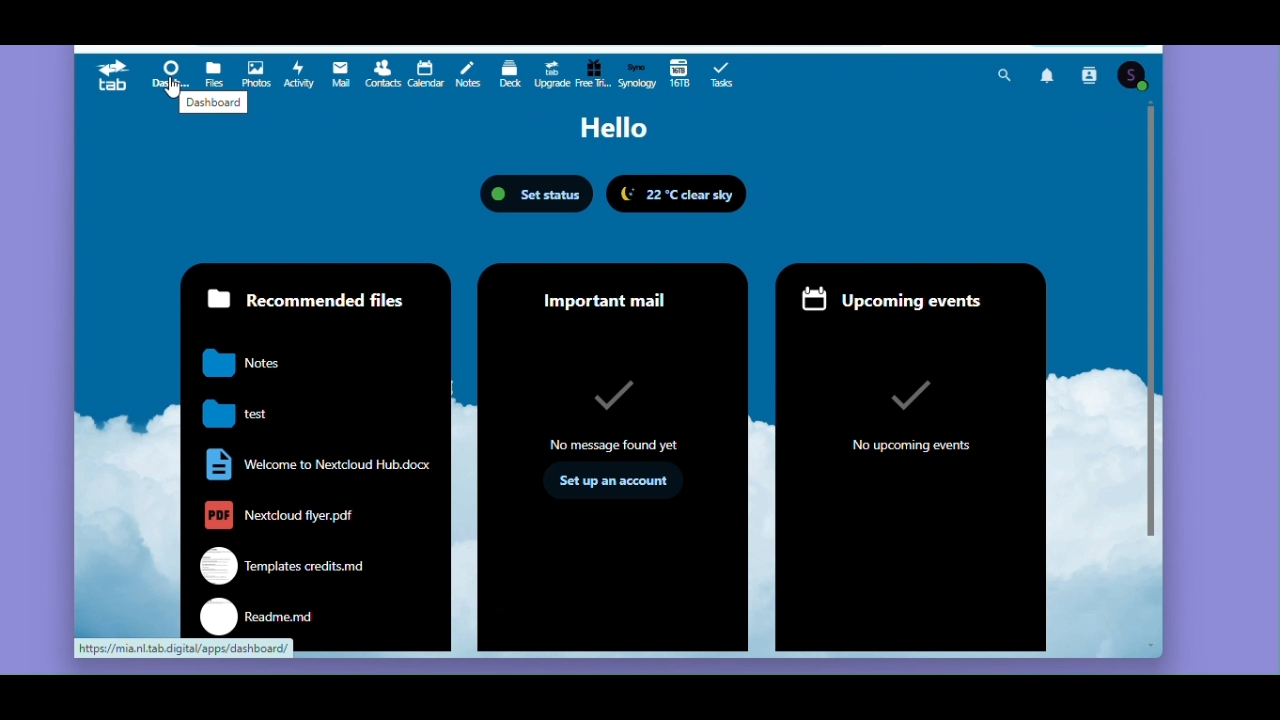  What do you see at coordinates (1090, 73) in the screenshot?
I see `Contact search` at bounding box center [1090, 73].